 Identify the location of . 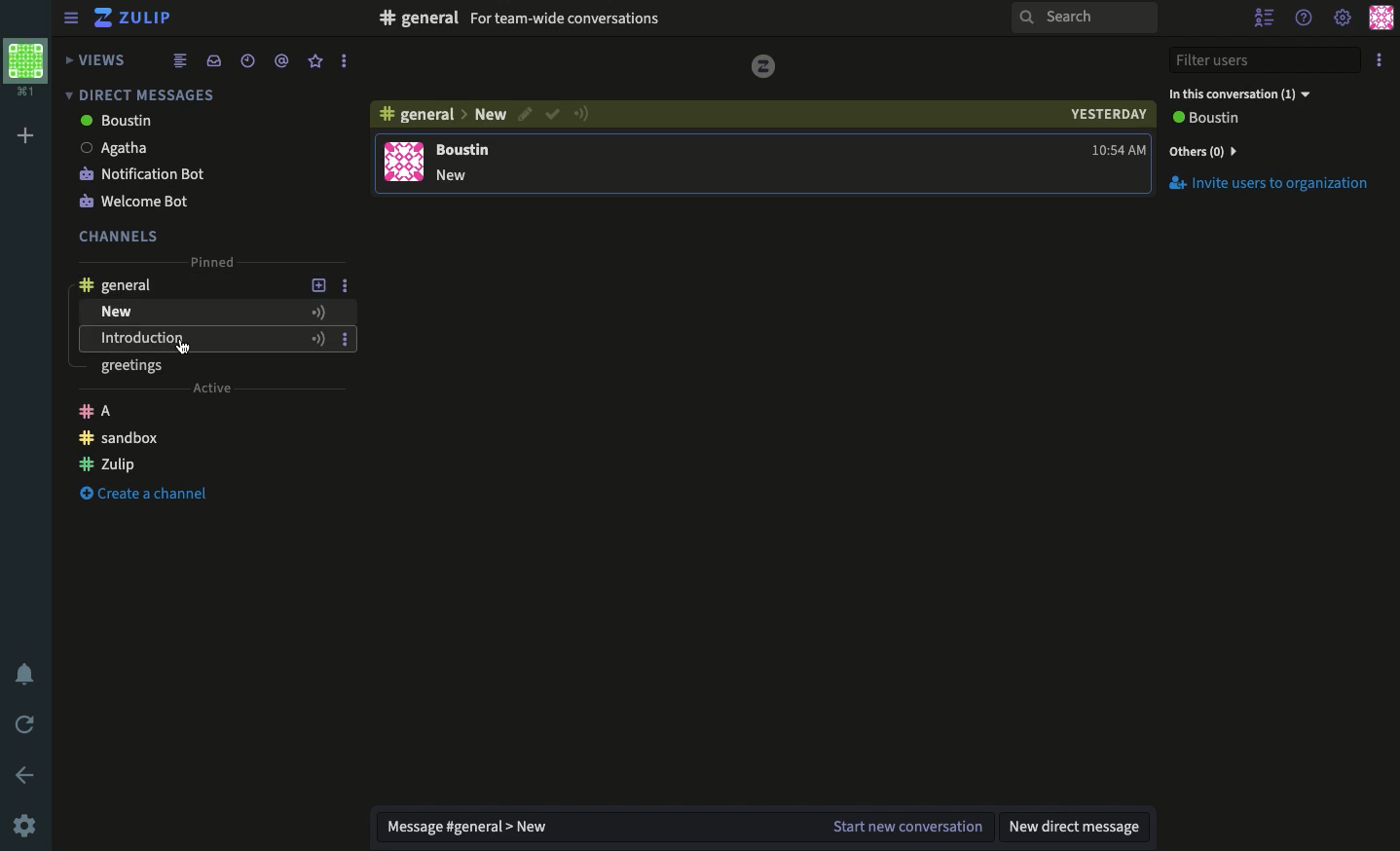
(492, 116).